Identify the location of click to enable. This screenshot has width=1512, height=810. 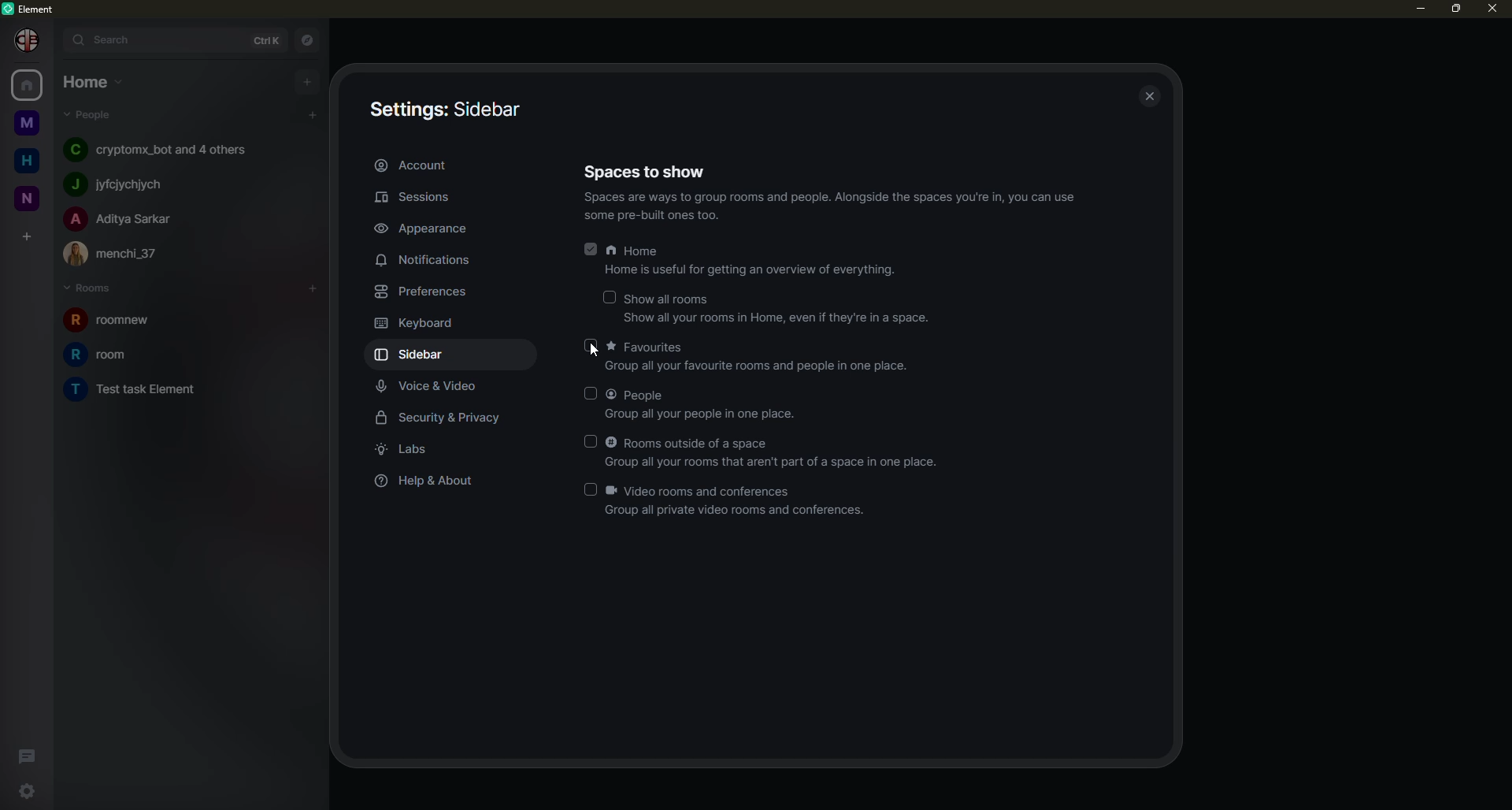
(588, 393).